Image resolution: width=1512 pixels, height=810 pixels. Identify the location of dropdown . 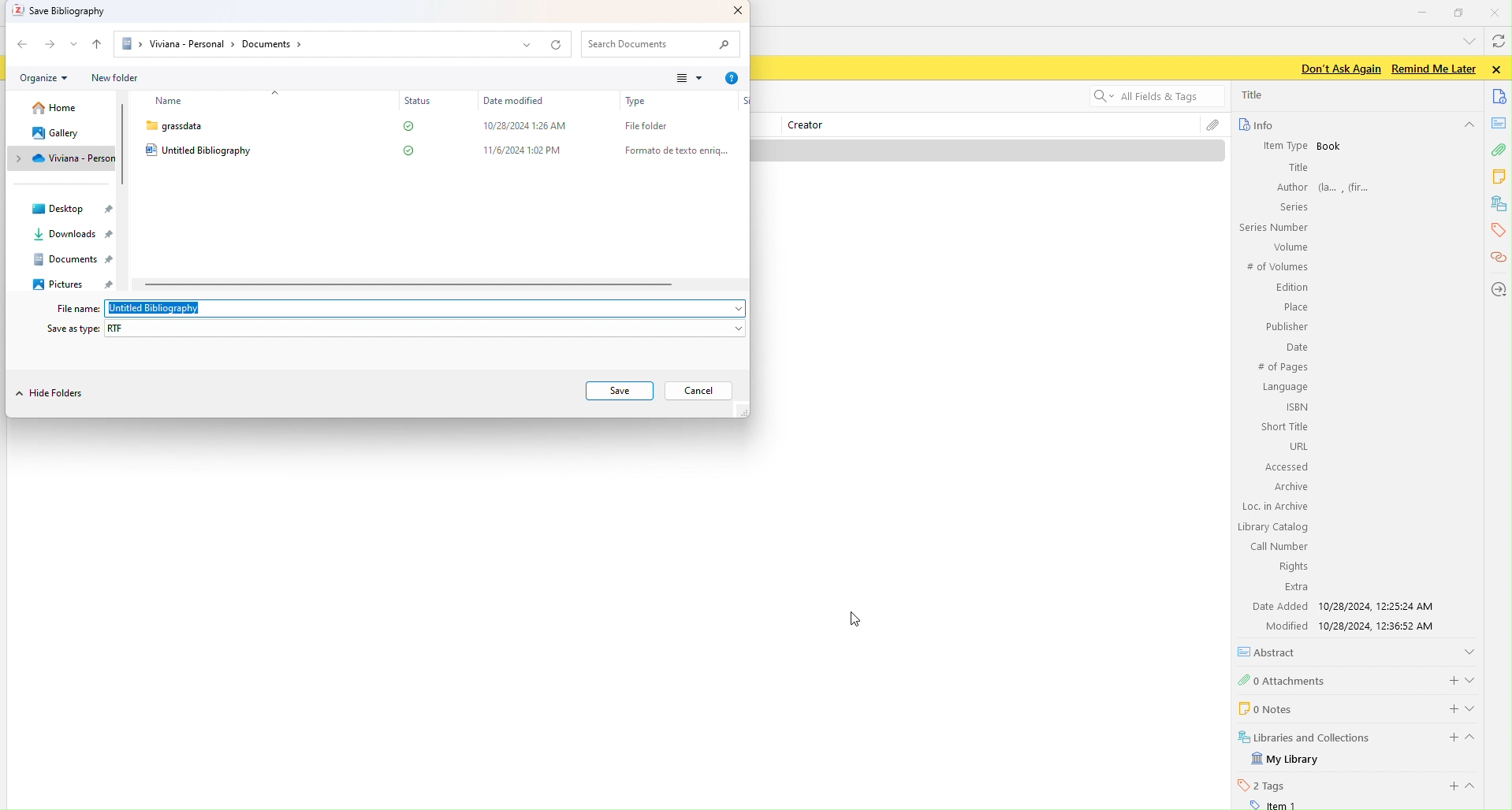
(731, 309).